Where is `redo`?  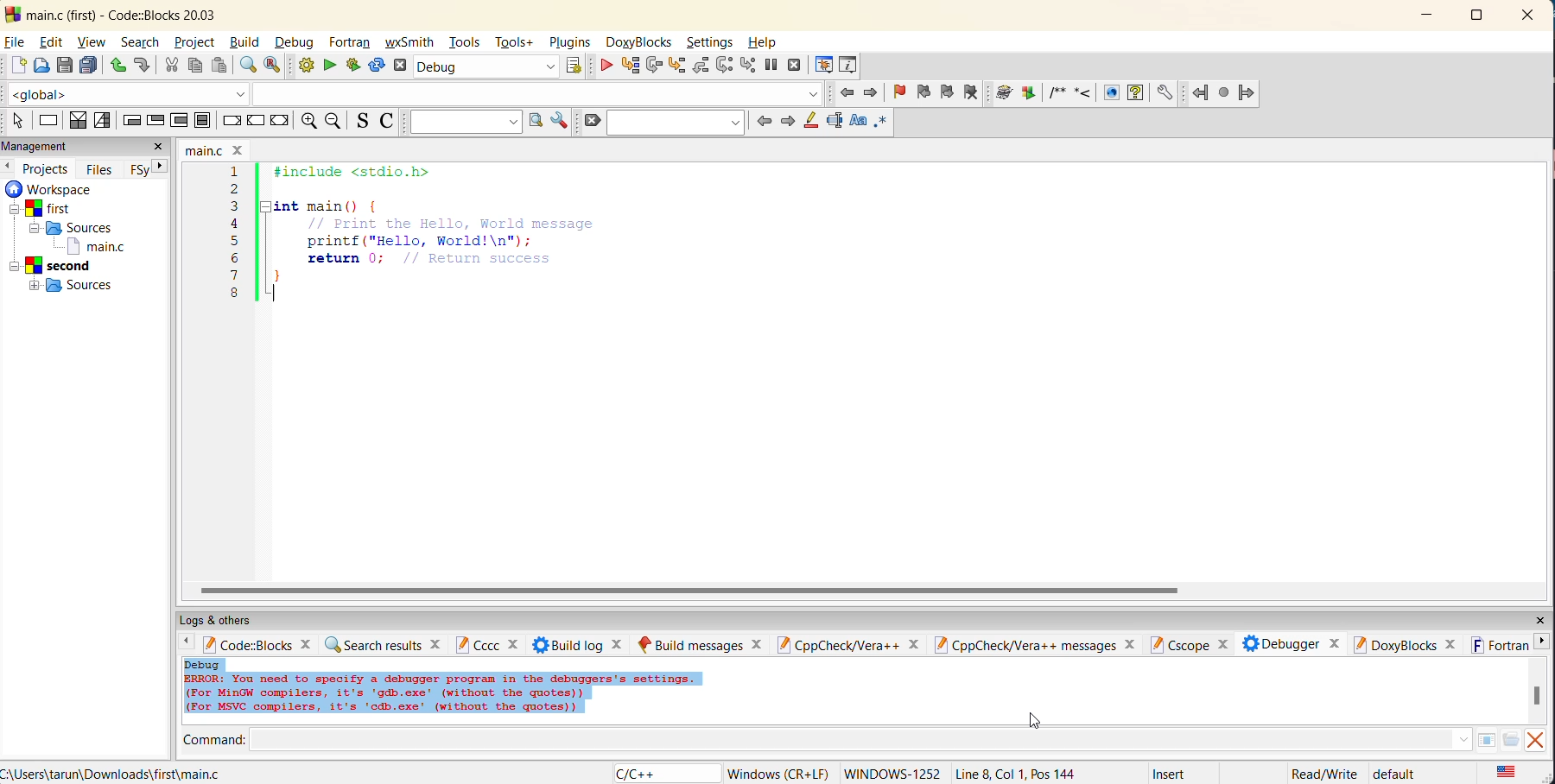
redo is located at coordinates (143, 66).